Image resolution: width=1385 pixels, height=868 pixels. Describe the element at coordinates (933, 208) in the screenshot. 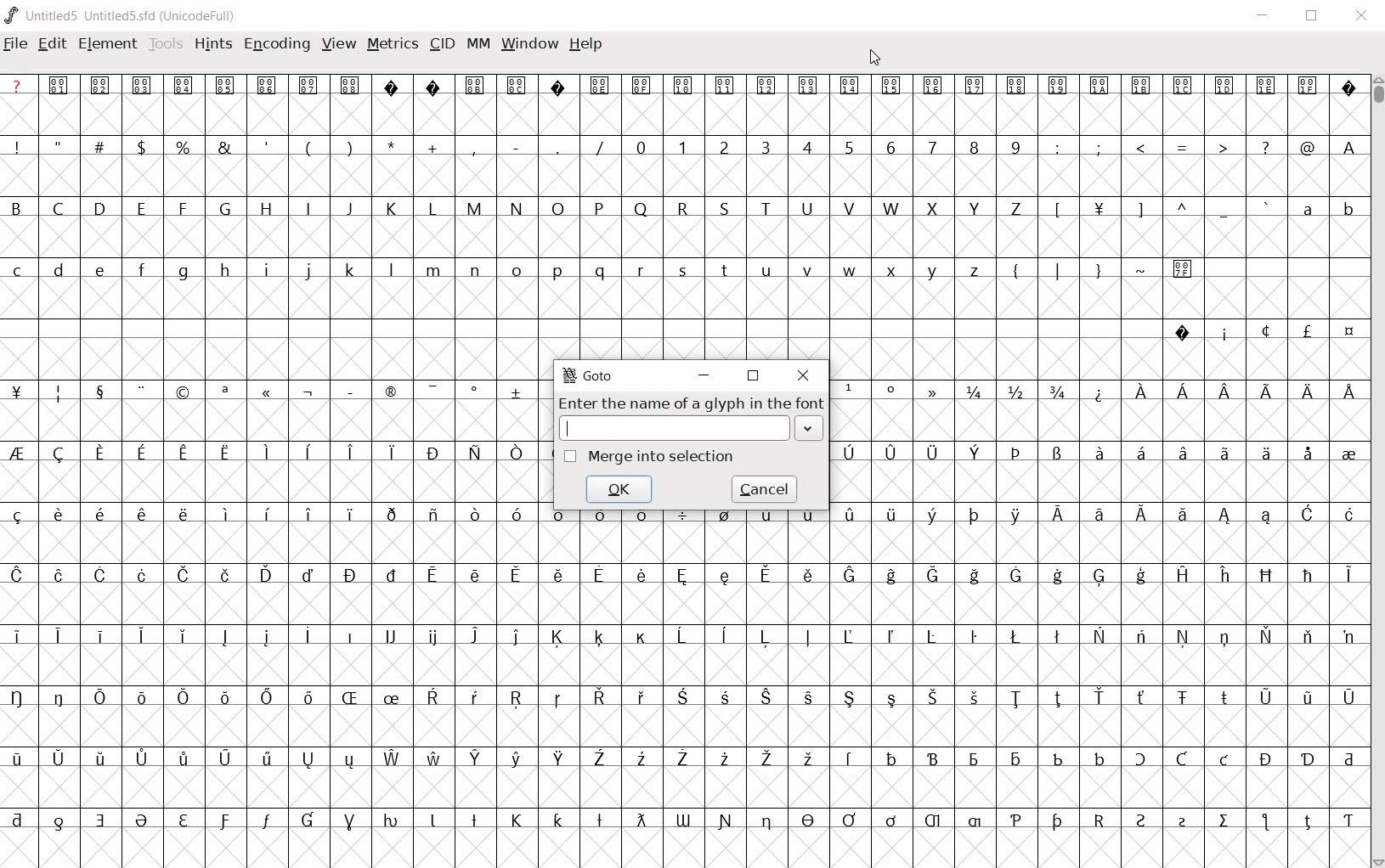

I see `X` at that location.